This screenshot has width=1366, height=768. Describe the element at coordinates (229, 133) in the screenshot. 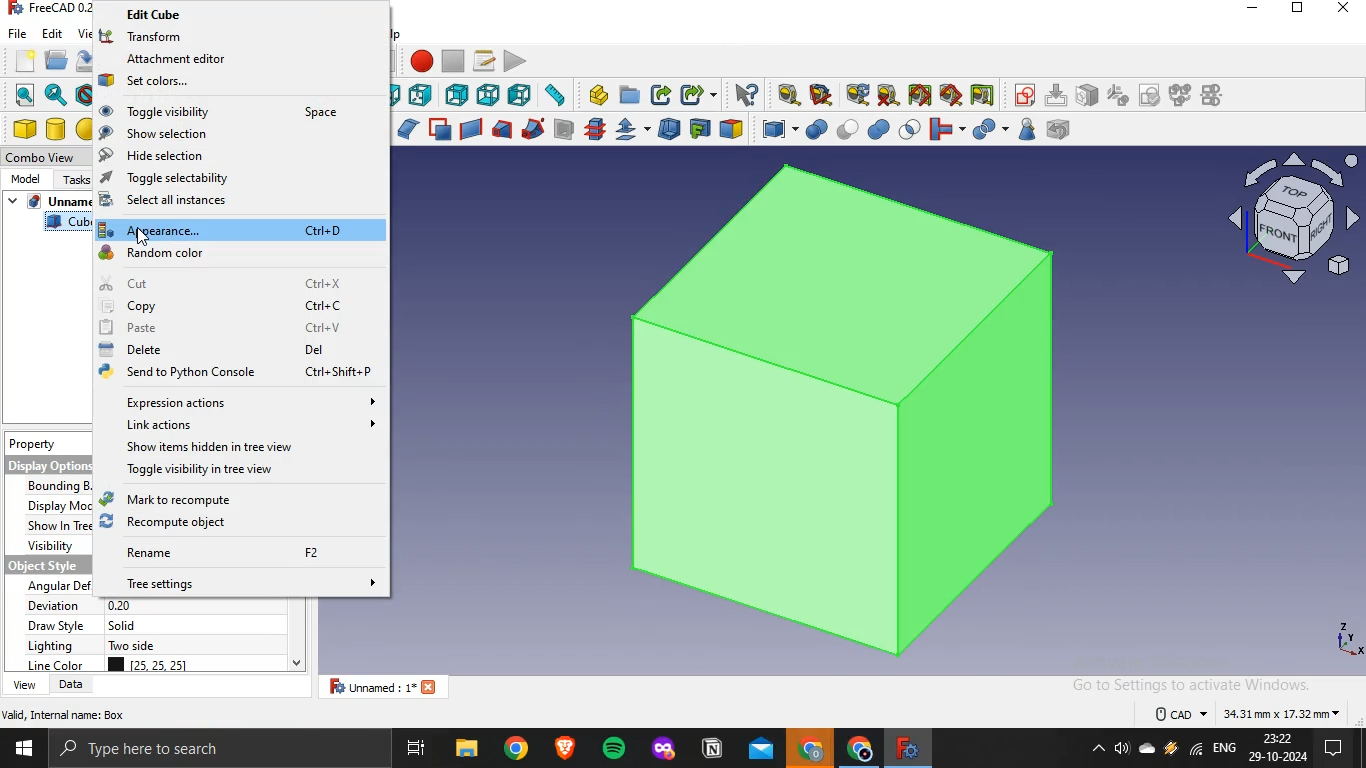

I see `show selection` at that location.